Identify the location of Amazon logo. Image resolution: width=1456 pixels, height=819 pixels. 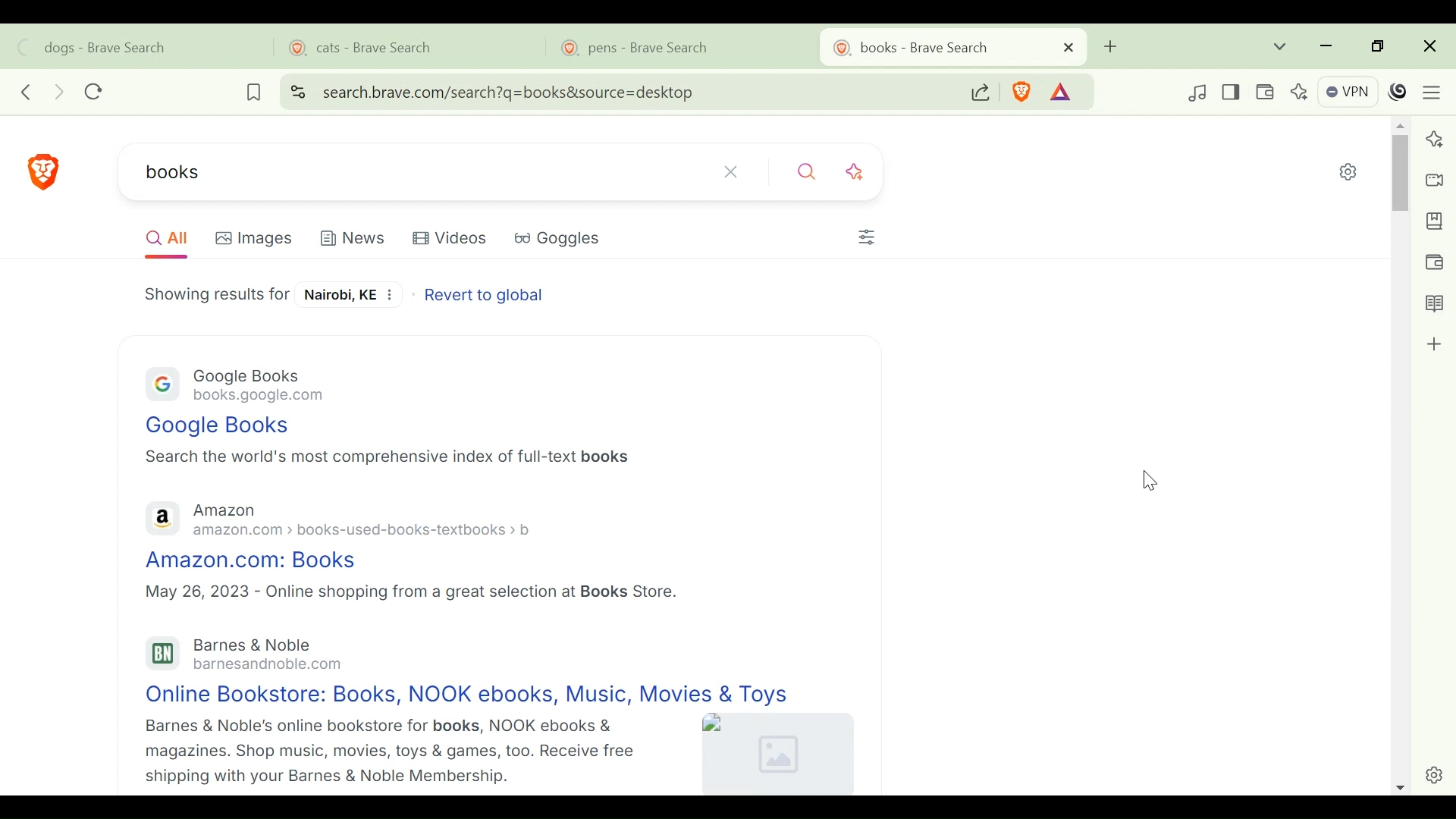
(161, 519).